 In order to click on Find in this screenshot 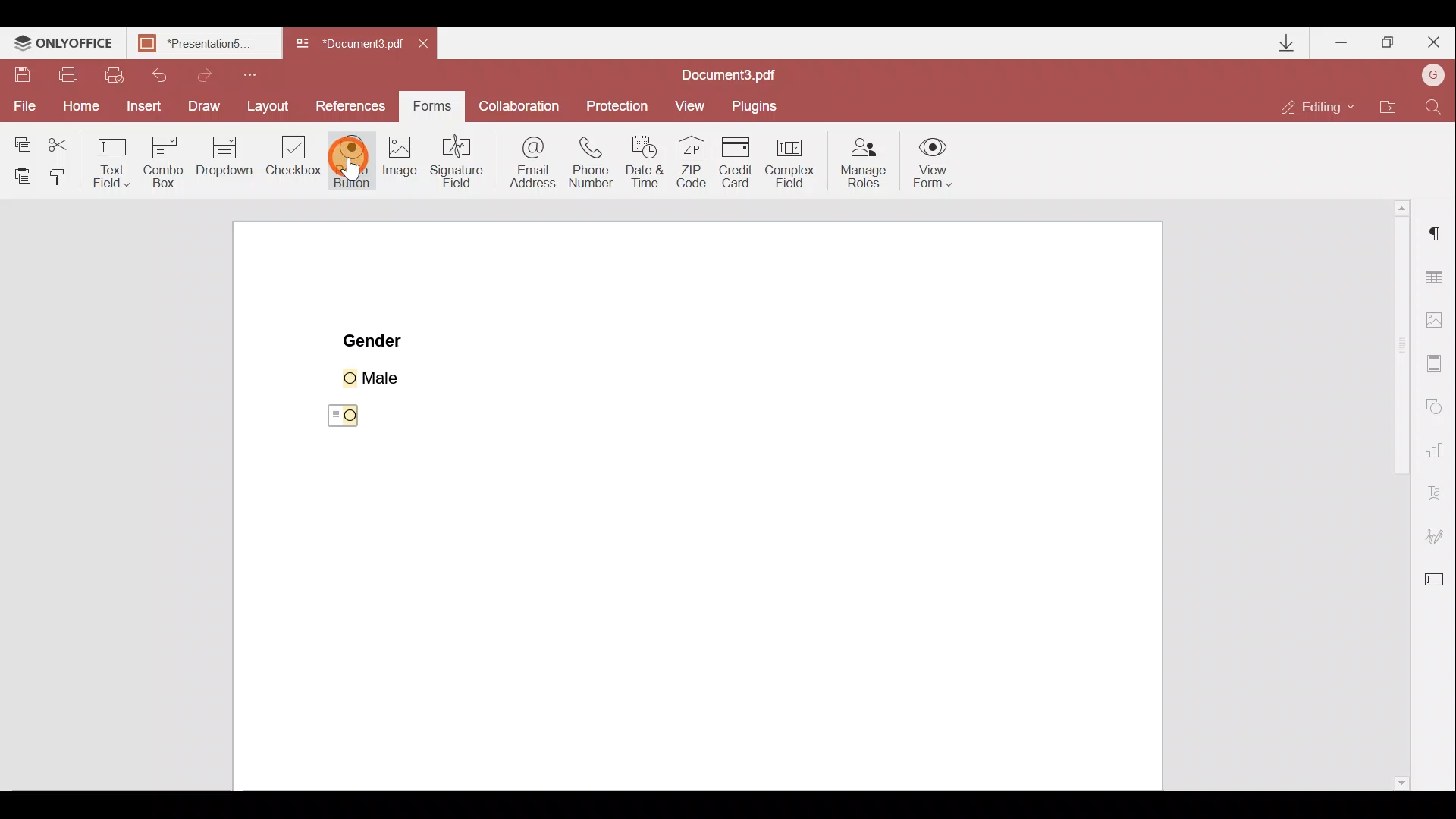, I will do `click(1434, 104)`.